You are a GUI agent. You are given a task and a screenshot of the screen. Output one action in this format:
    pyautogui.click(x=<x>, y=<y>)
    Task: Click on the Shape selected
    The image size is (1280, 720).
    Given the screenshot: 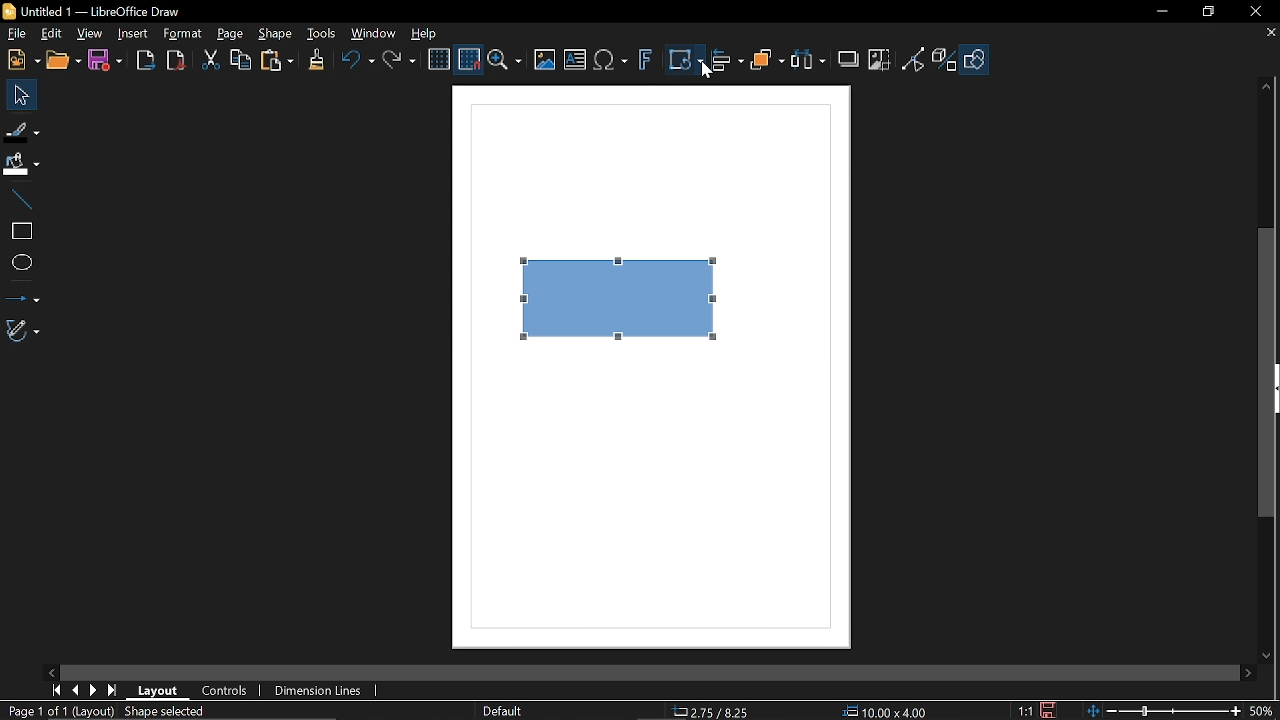 What is the action you would take?
    pyautogui.click(x=182, y=711)
    